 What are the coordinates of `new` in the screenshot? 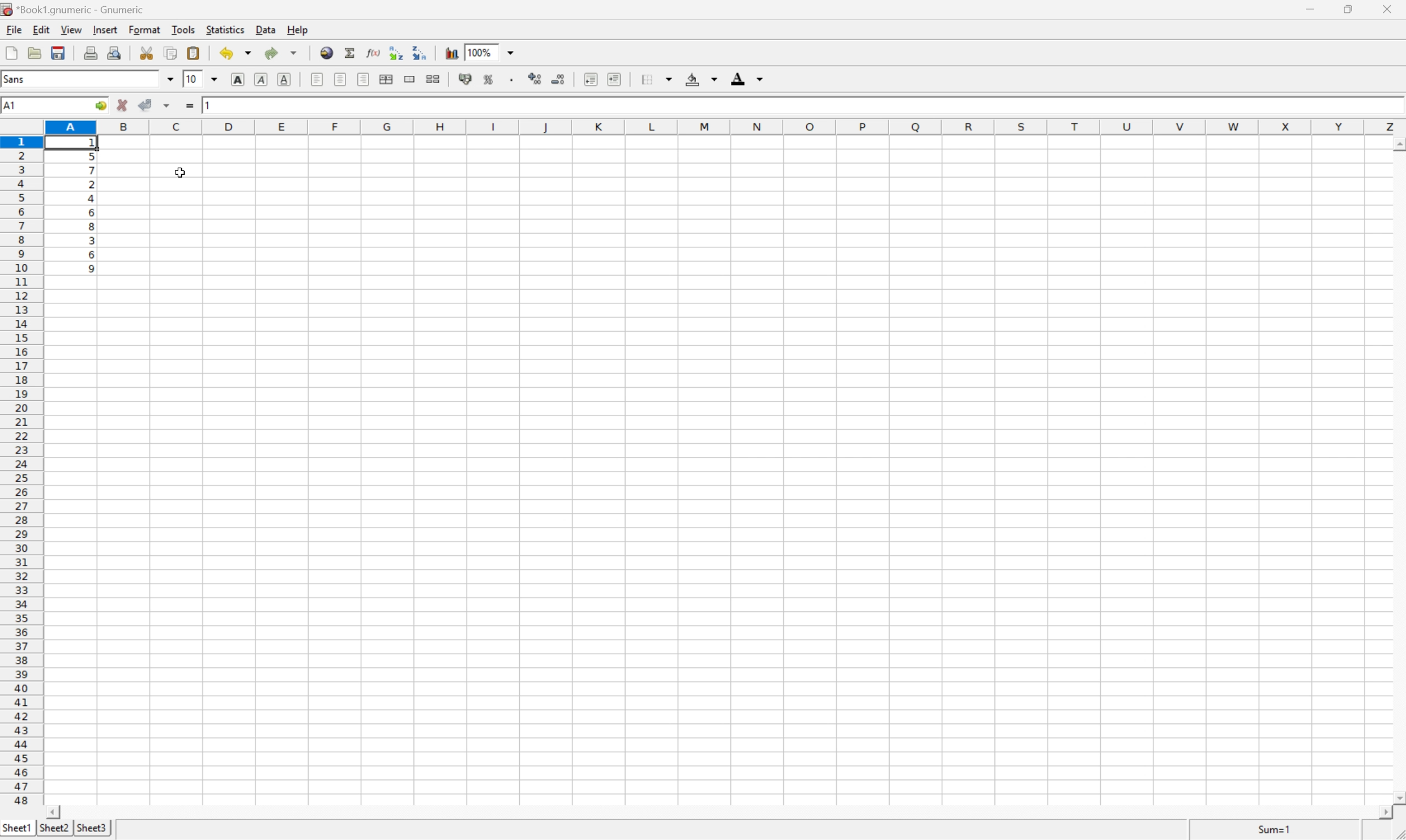 It's located at (12, 52).